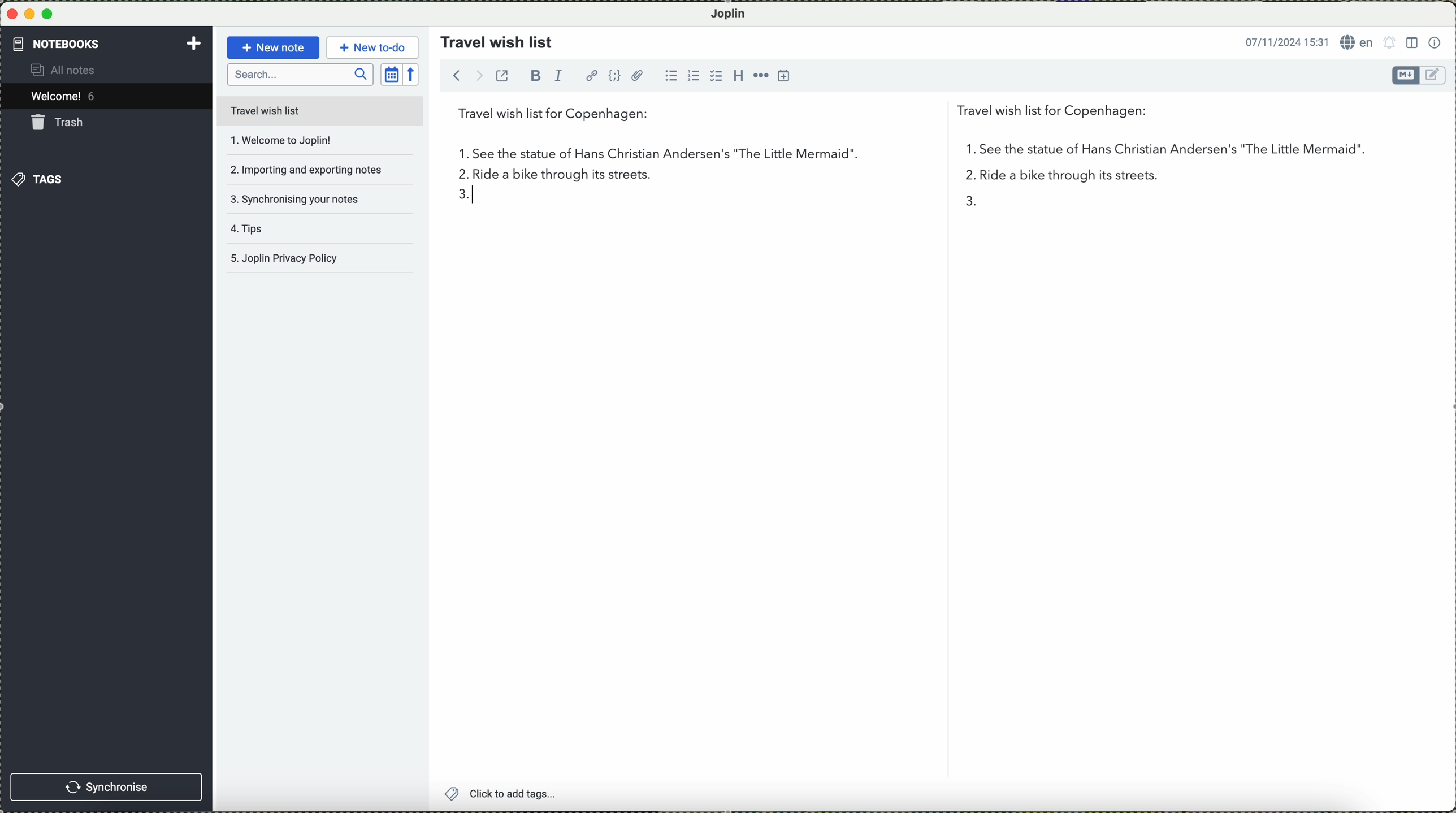  Describe the element at coordinates (461, 78) in the screenshot. I see `navigate` at that location.